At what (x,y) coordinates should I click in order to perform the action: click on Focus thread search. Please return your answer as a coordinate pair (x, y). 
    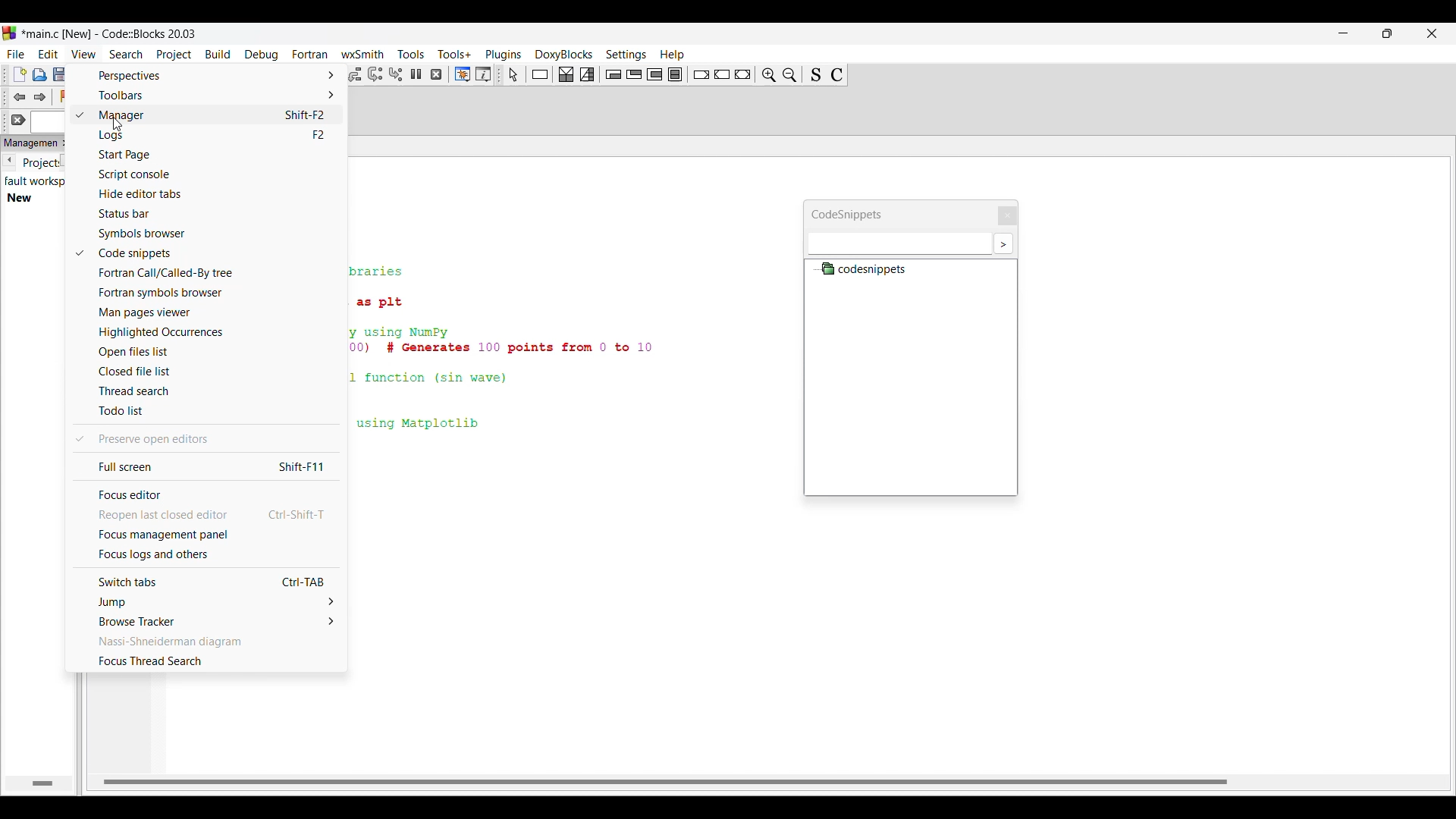
    Looking at the image, I should click on (207, 661).